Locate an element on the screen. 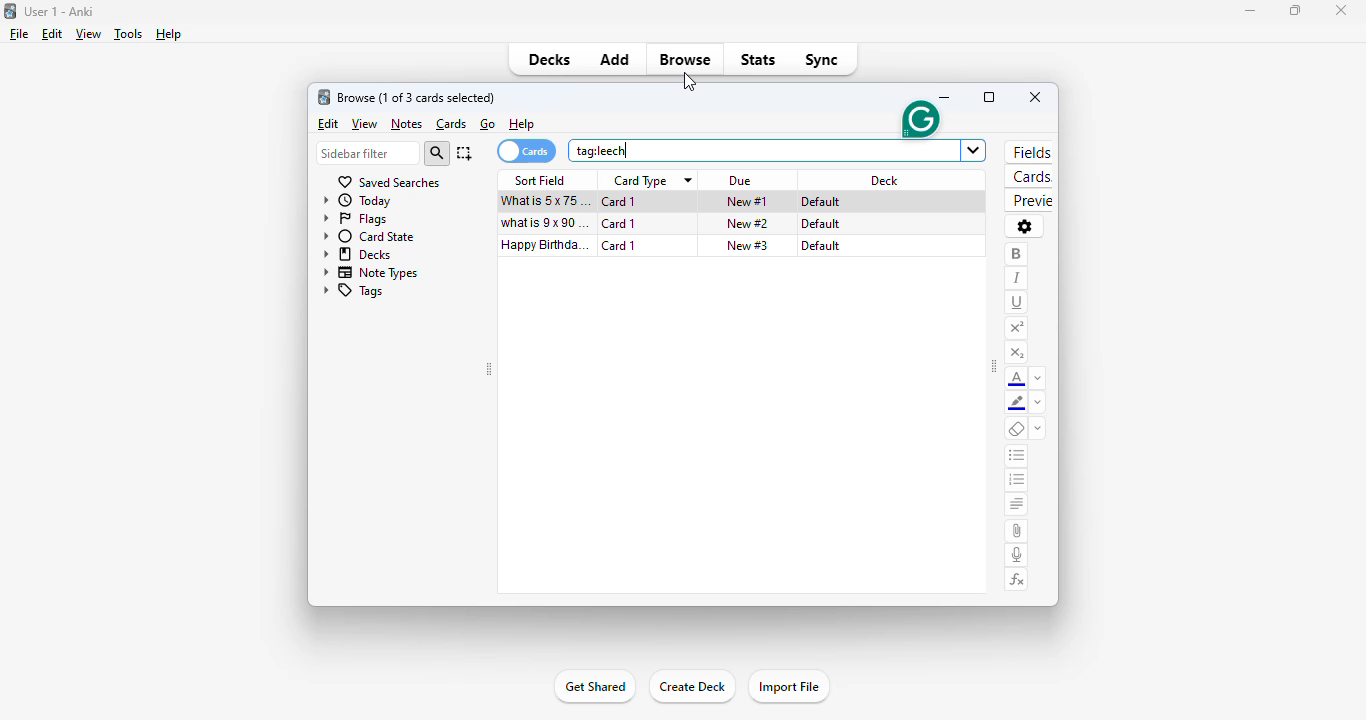 The width and height of the screenshot is (1366, 720). superscript is located at coordinates (1016, 329).